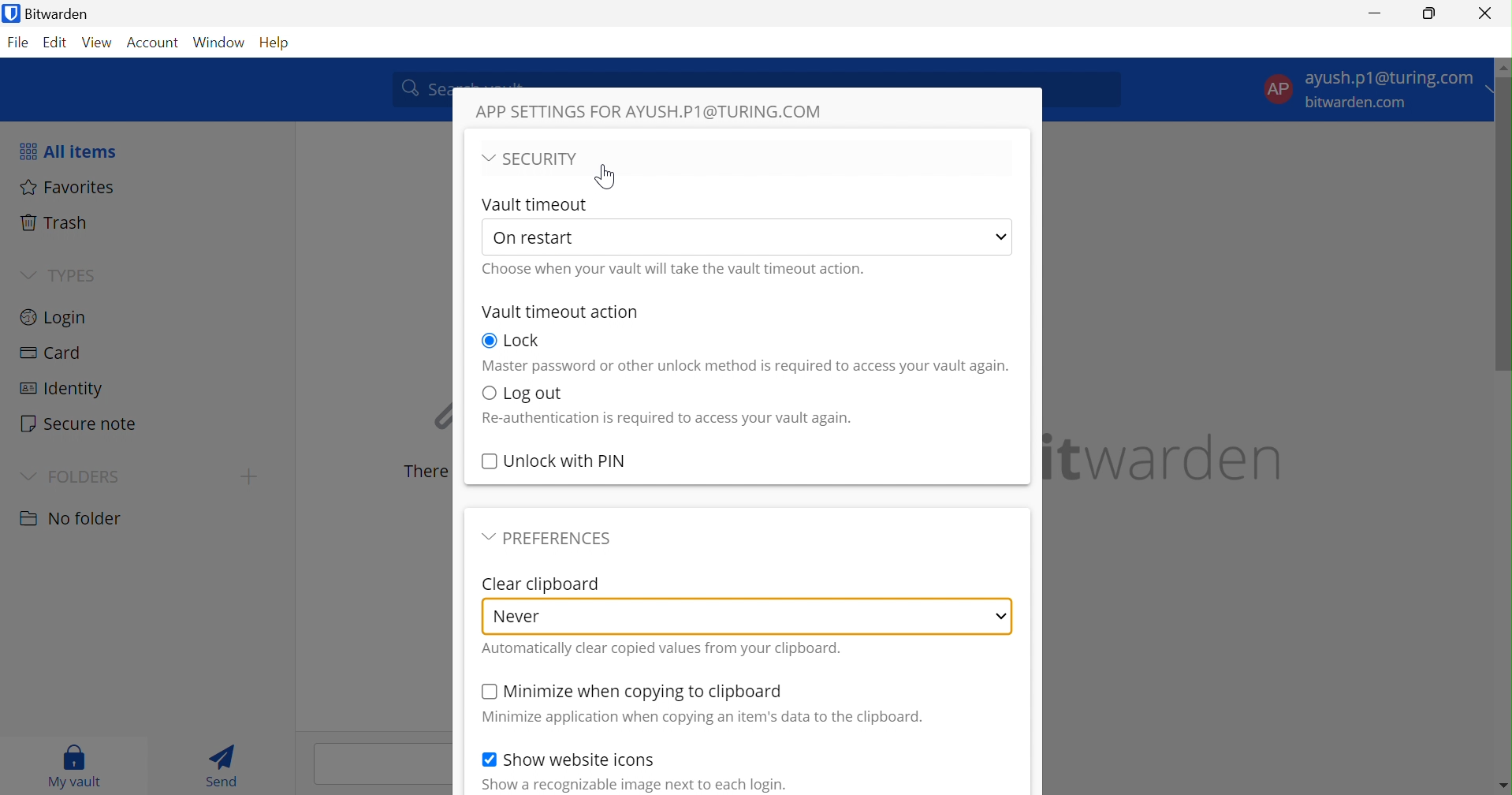 This screenshot has height=795, width=1512. Describe the element at coordinates (70, 151) in the screenshot. I see `All items` at that location.